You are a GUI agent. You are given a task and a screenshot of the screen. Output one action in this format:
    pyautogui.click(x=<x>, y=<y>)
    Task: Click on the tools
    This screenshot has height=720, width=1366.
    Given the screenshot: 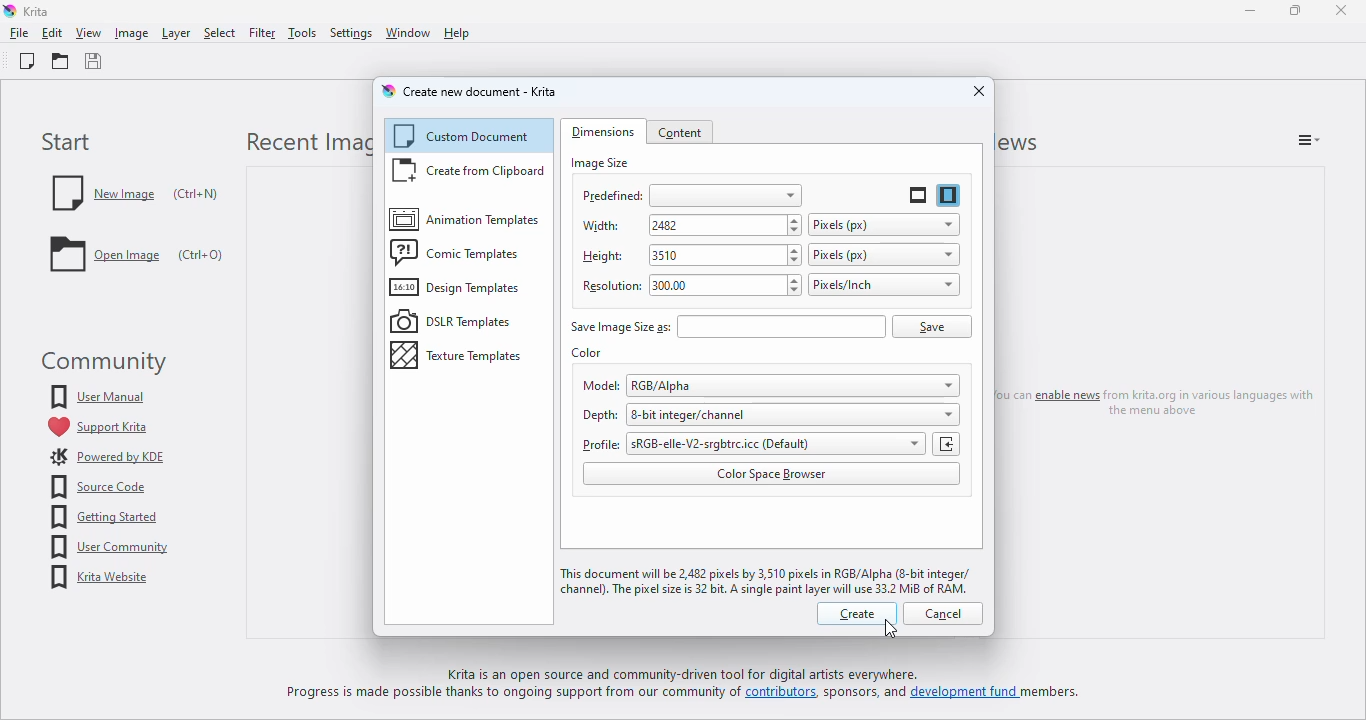 What is the action you would take?
    pyautogui.click(x=301, y=32)
    